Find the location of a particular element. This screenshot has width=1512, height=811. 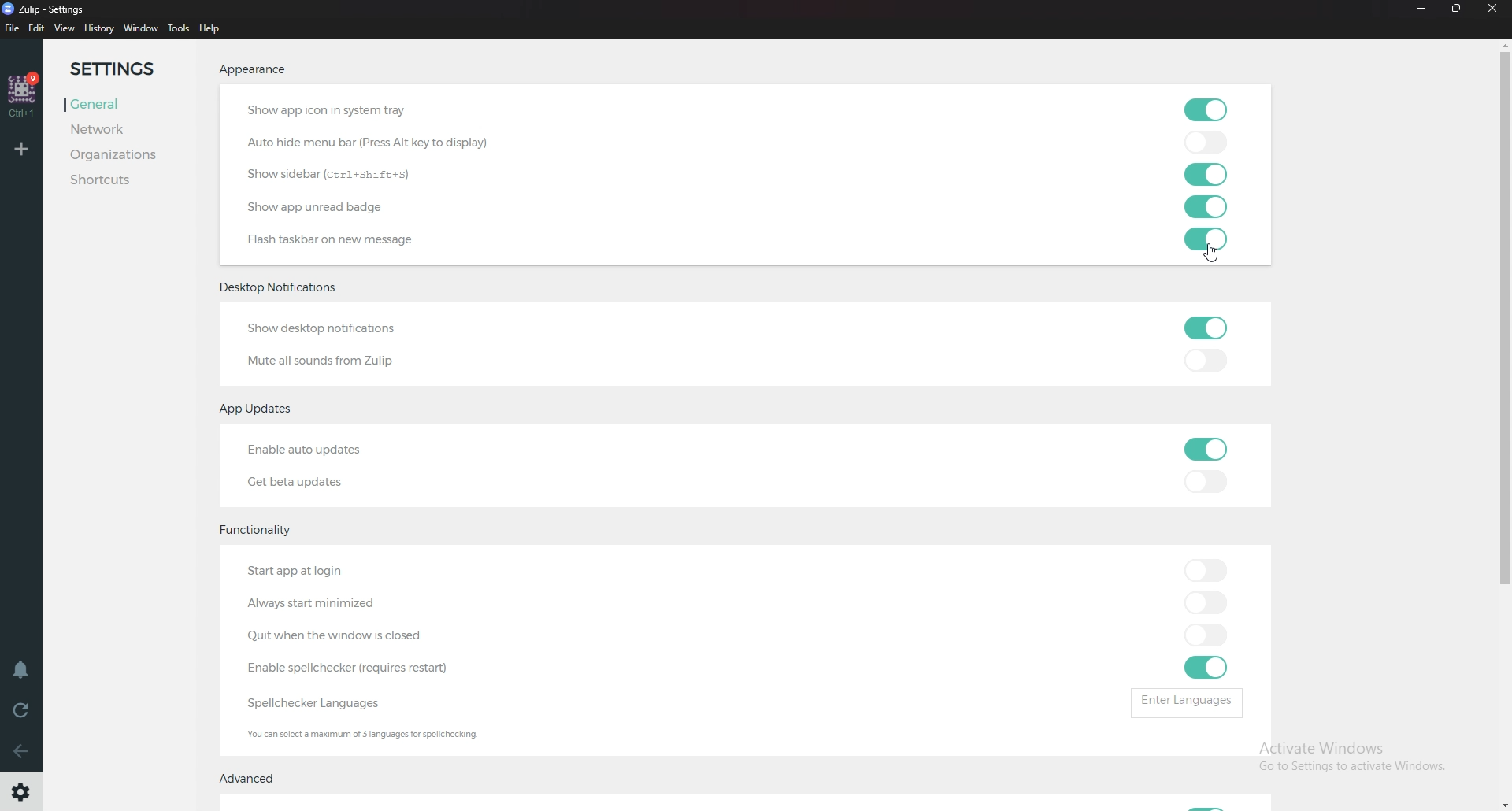

toggle is located at coordinates (1201, 208).